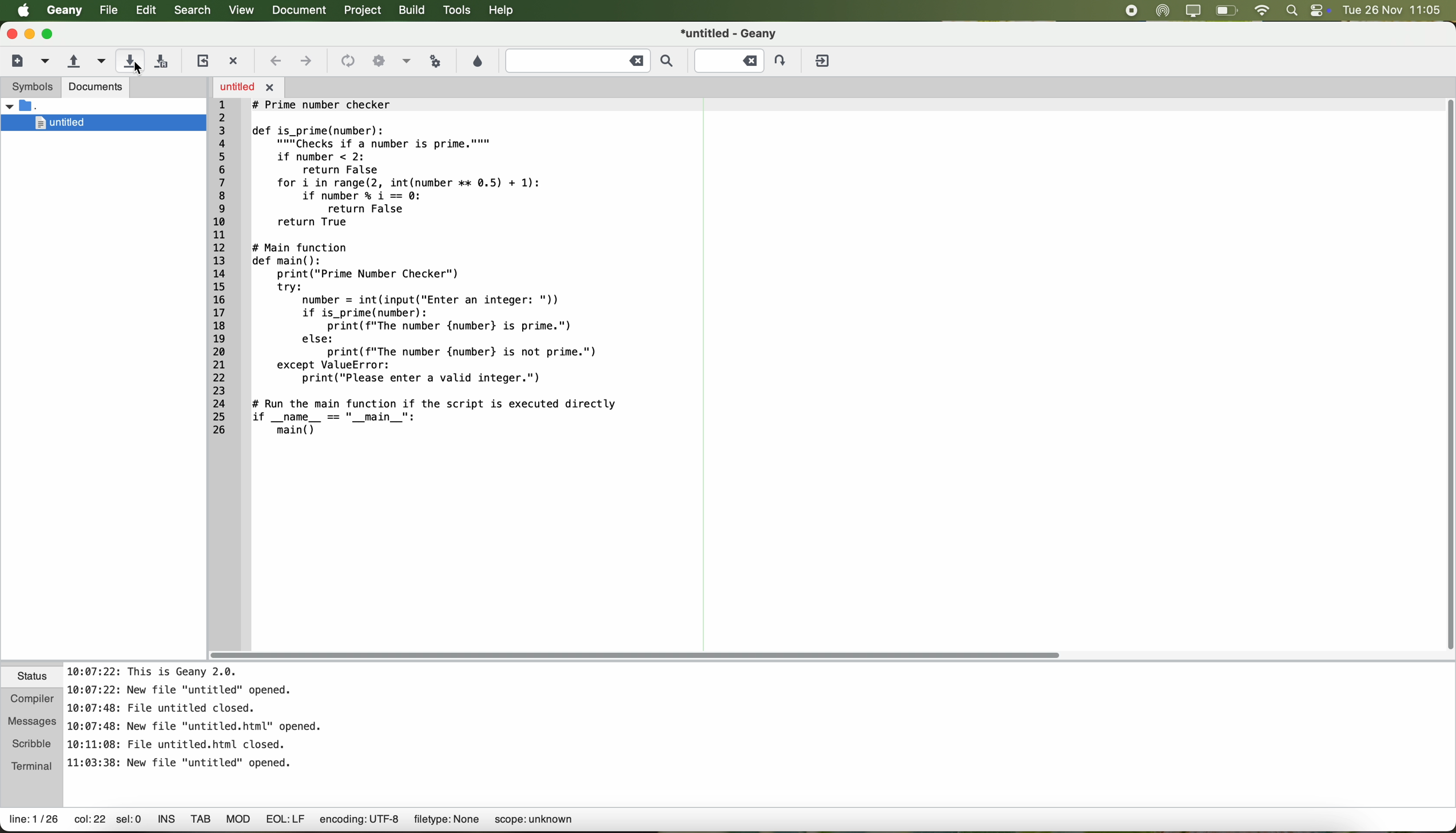 The width and height of the screenshot is (1456, 833). What do you see at coordinates (236, 58) in the screenshot?
I see `close the current file` at bounding box center [236, 58].